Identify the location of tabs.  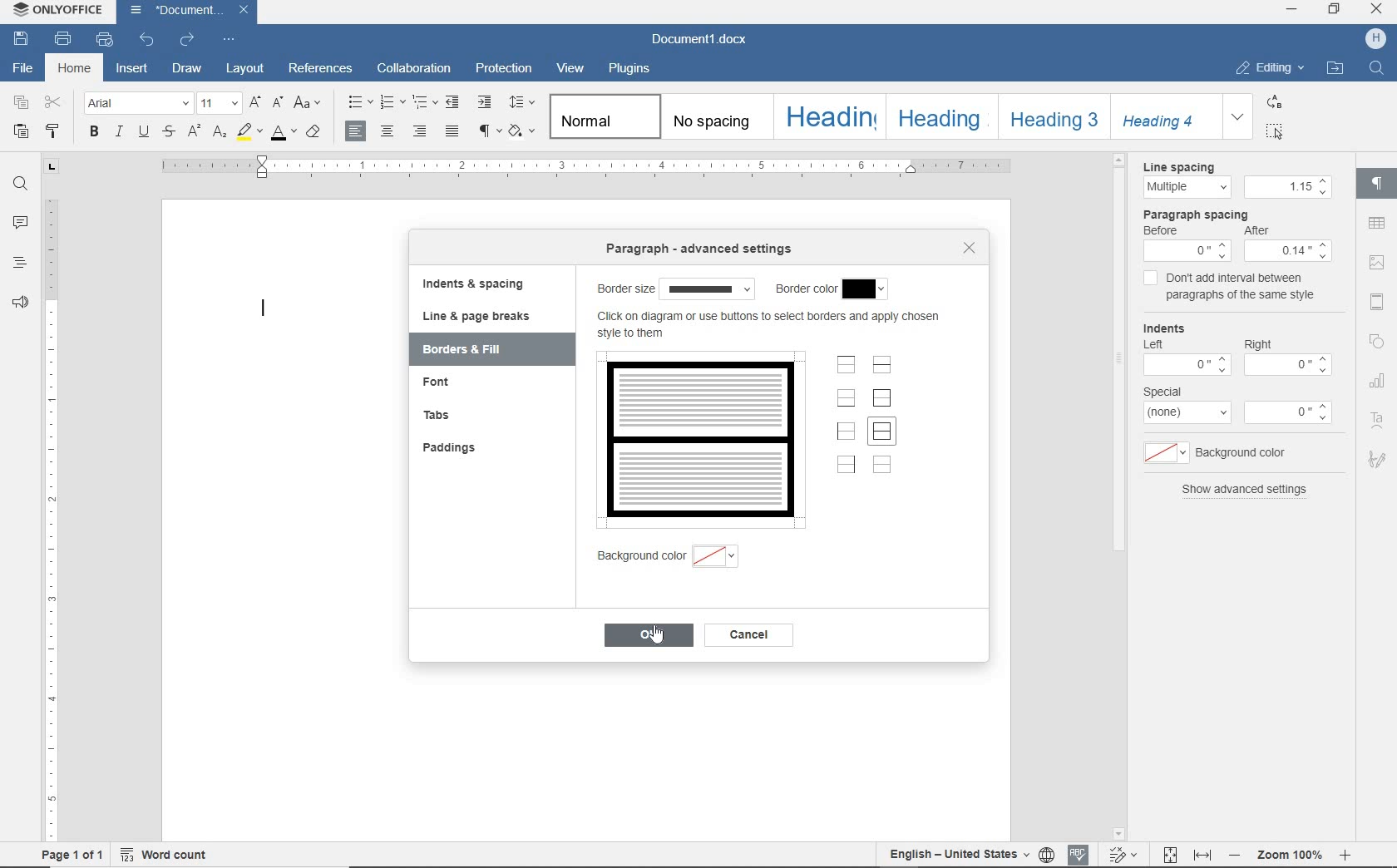
(463, 417).